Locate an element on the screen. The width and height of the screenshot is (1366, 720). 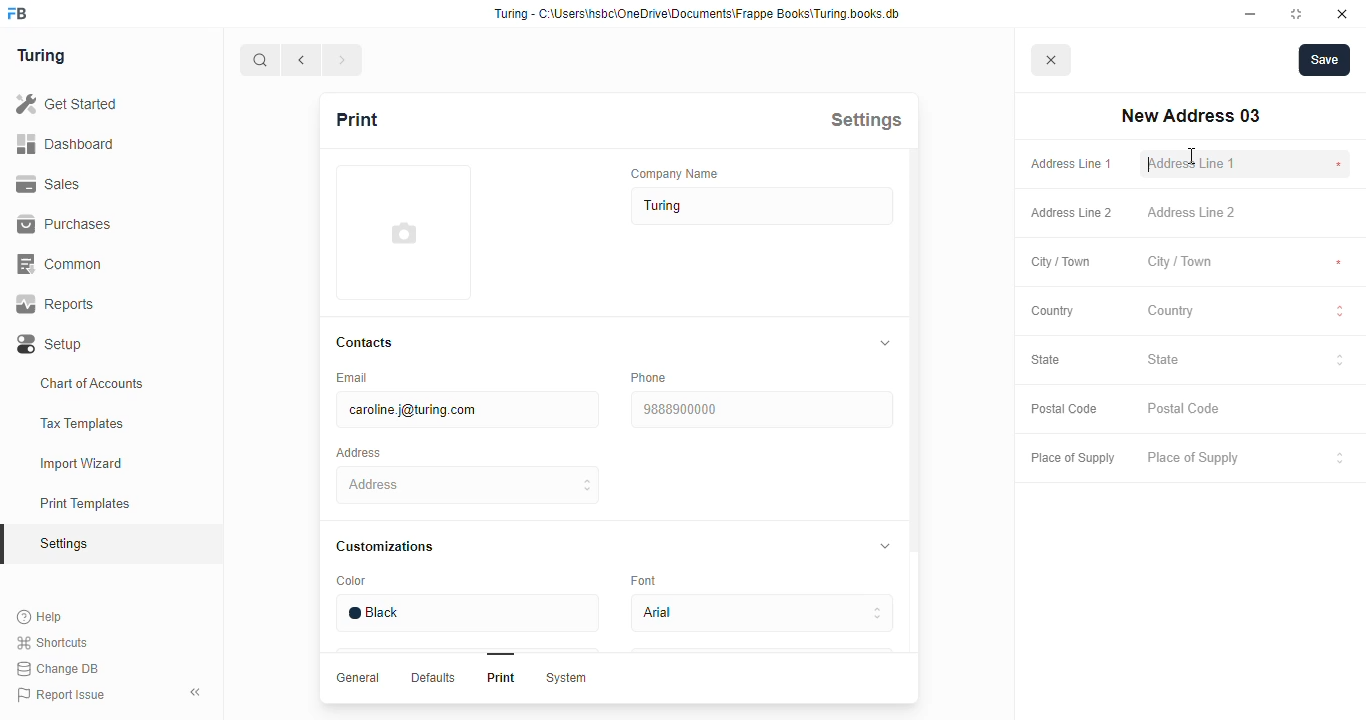
FB-logo is located at coordinates (17, 13).